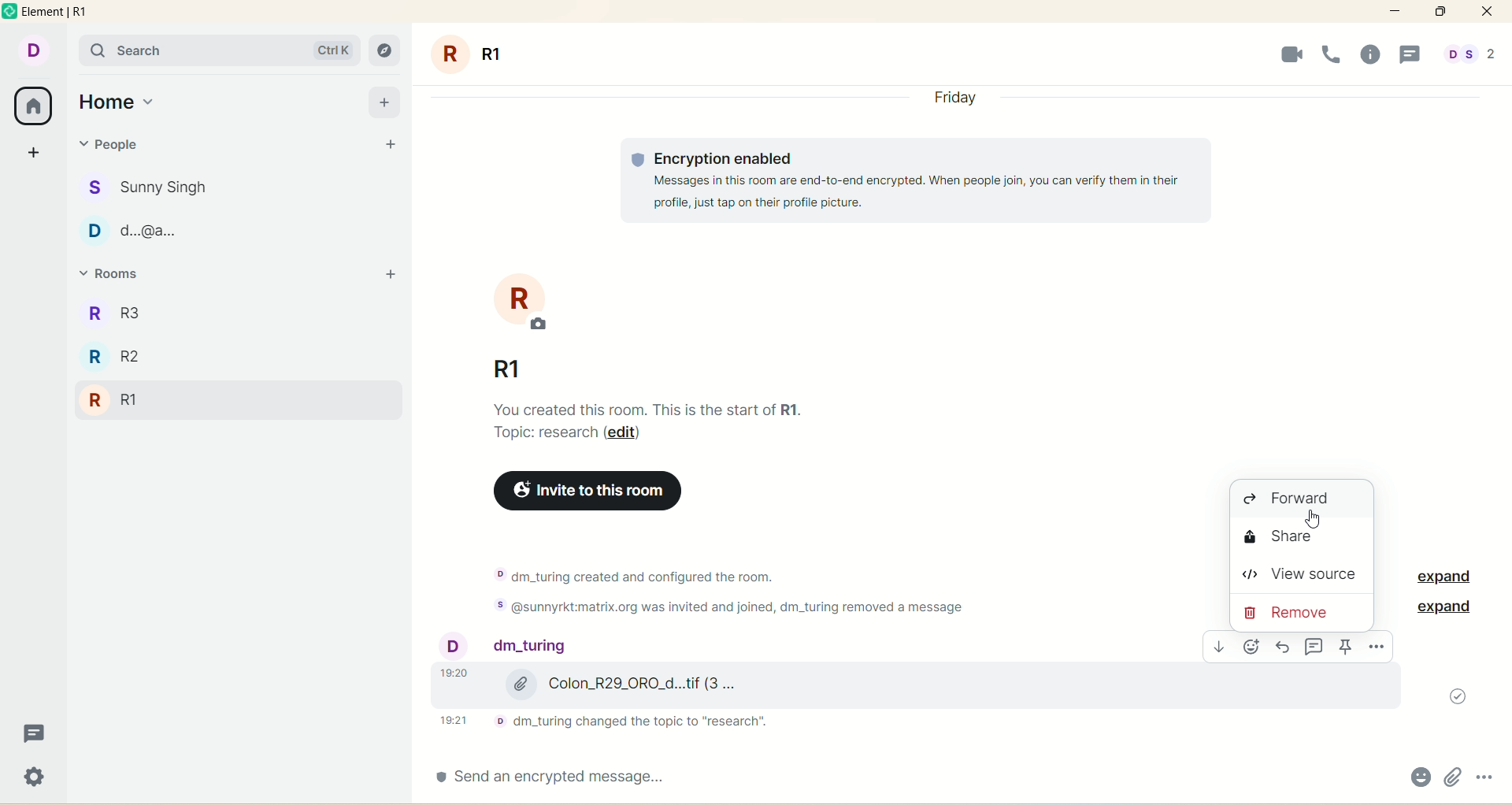 This screenshot has height=805, width=1512. I want to click on search, so click(218, 50).